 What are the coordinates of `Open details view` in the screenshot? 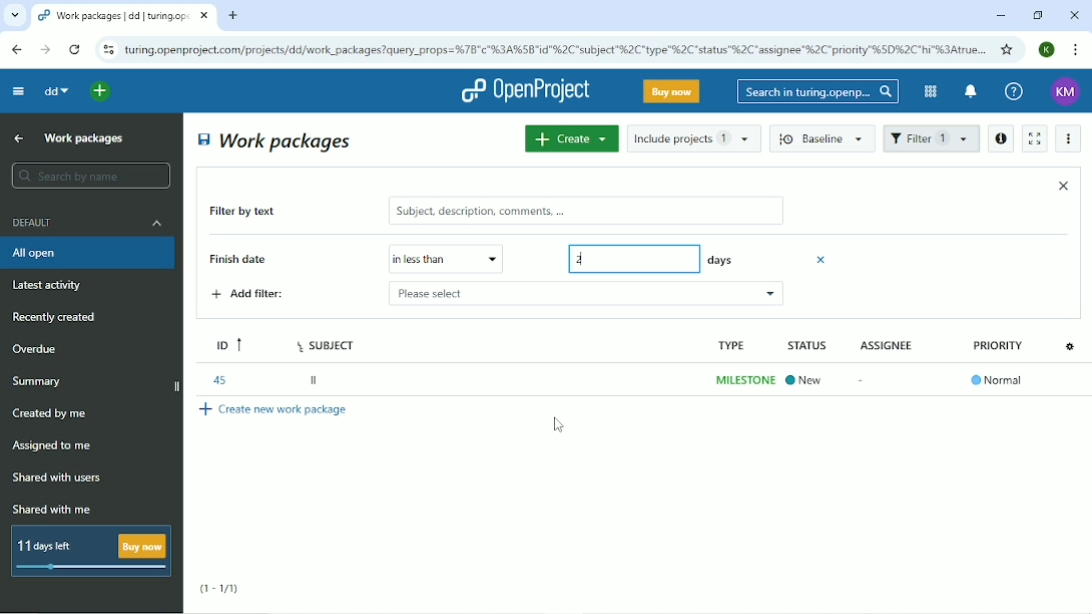 It's located at (1000, 139).